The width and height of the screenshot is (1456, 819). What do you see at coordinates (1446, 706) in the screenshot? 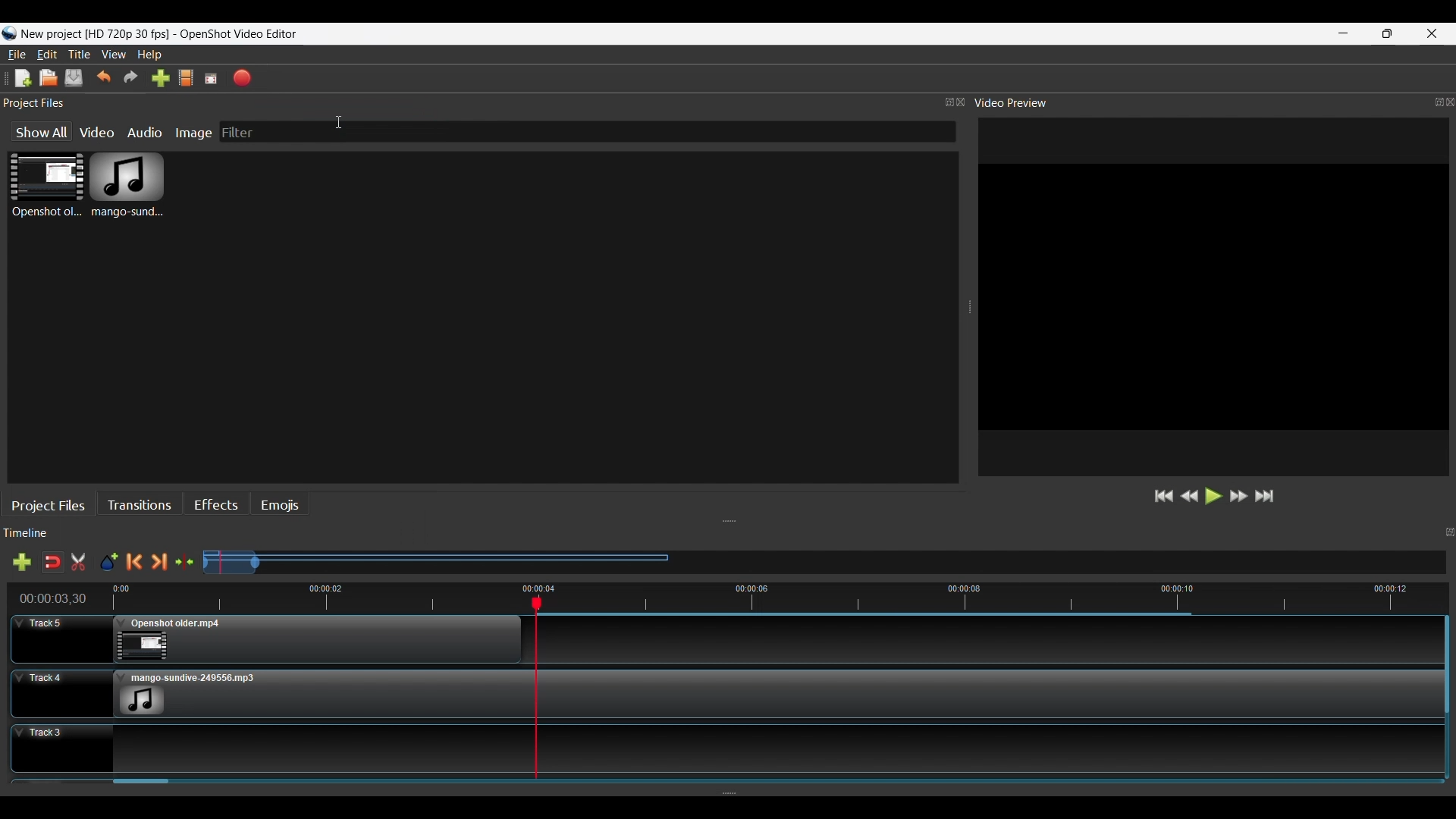
I see `Vertical Scroll Bar` at bounding box center [1446, 706].